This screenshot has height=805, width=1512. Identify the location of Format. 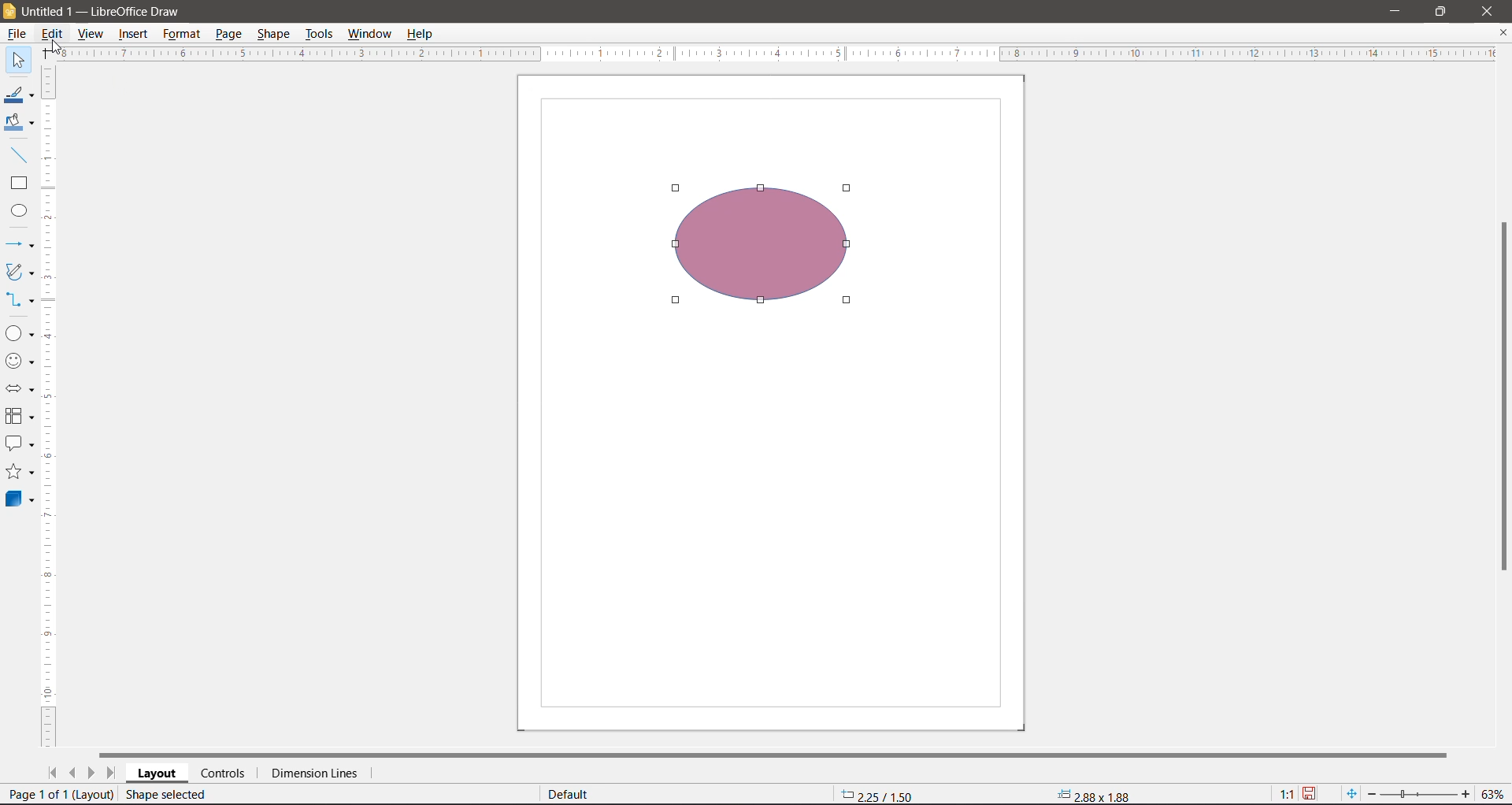
(181, 34).